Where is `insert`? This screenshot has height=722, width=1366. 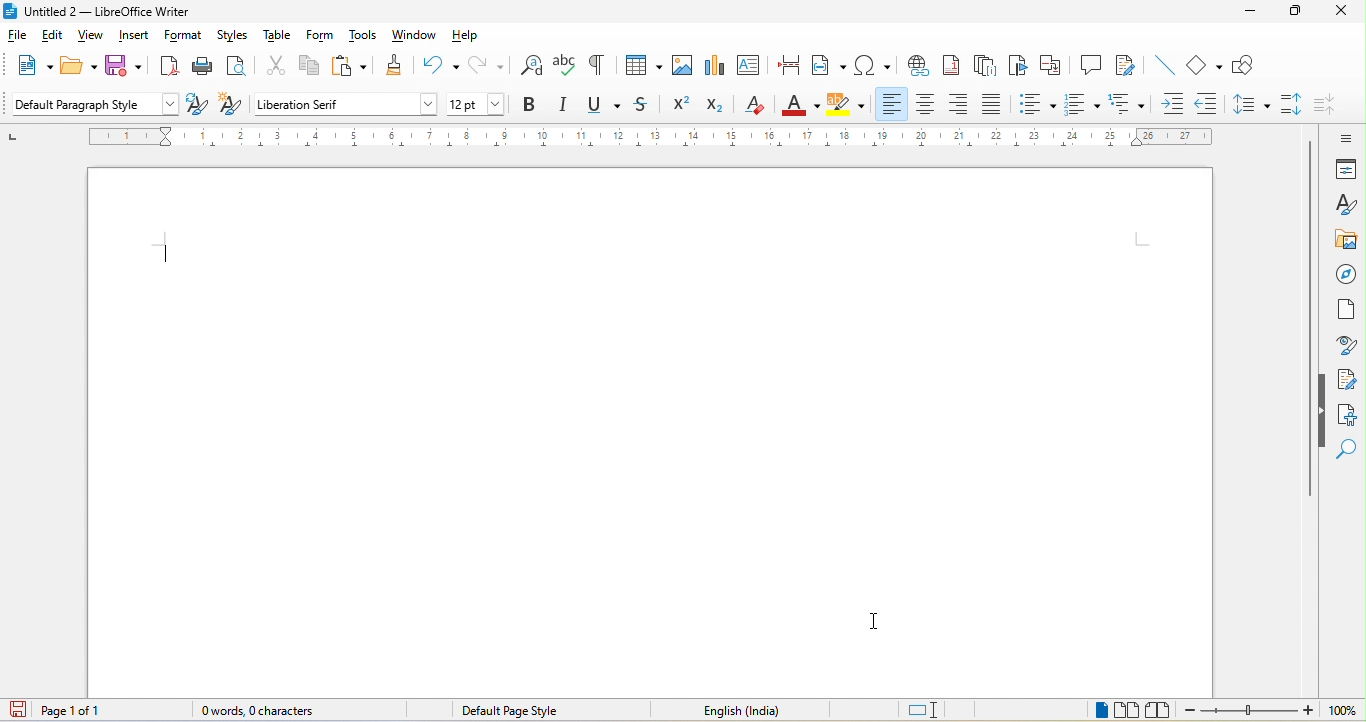
insert is located at coordinates (133, 38).